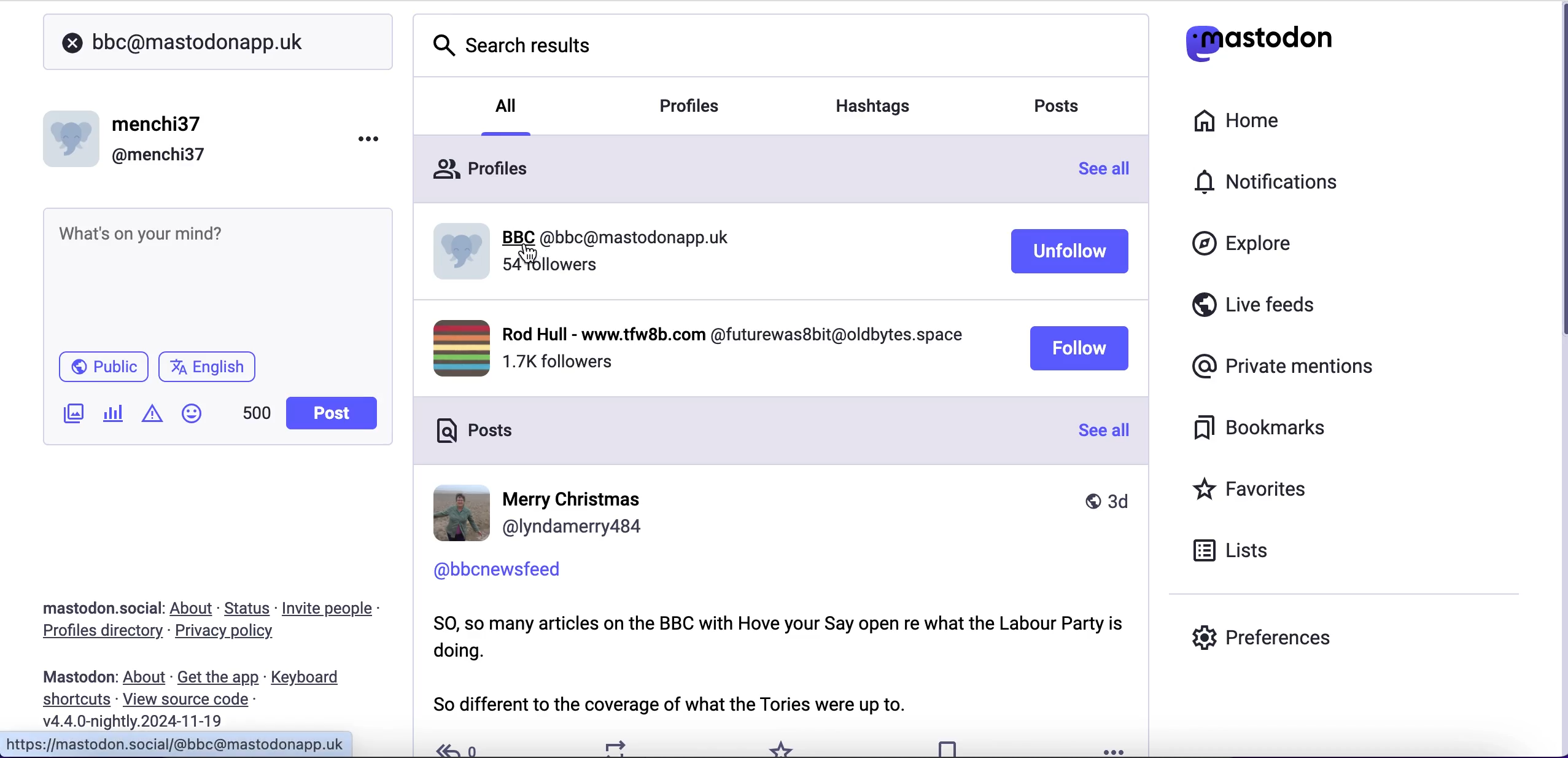  Describe the element at coordinates (1238, 549) in the screenshot. I see `lists` at that location.